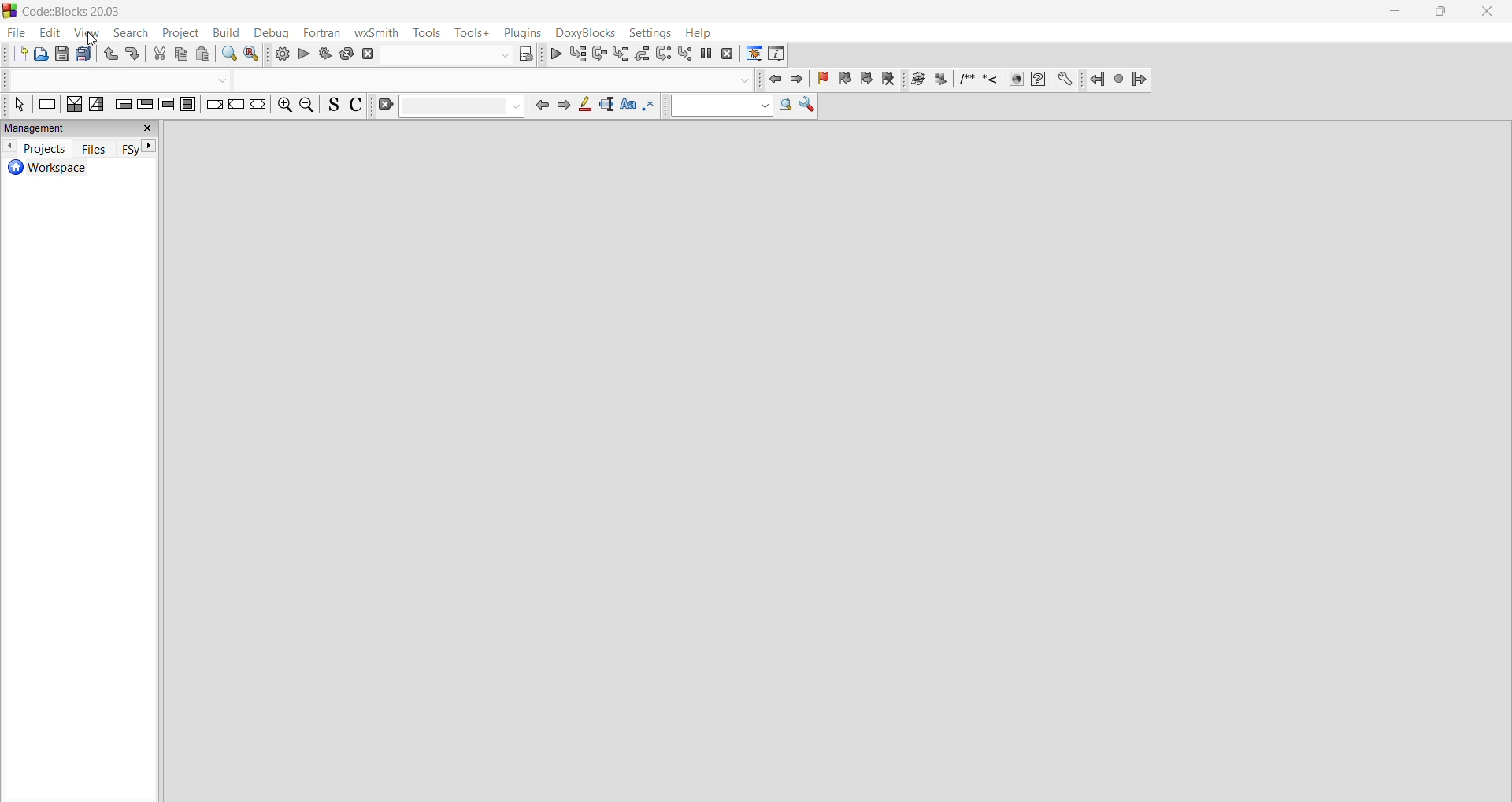  Describe the element at coordinates (378, 34) in the screenshot. I see `wxSmith` at that location.